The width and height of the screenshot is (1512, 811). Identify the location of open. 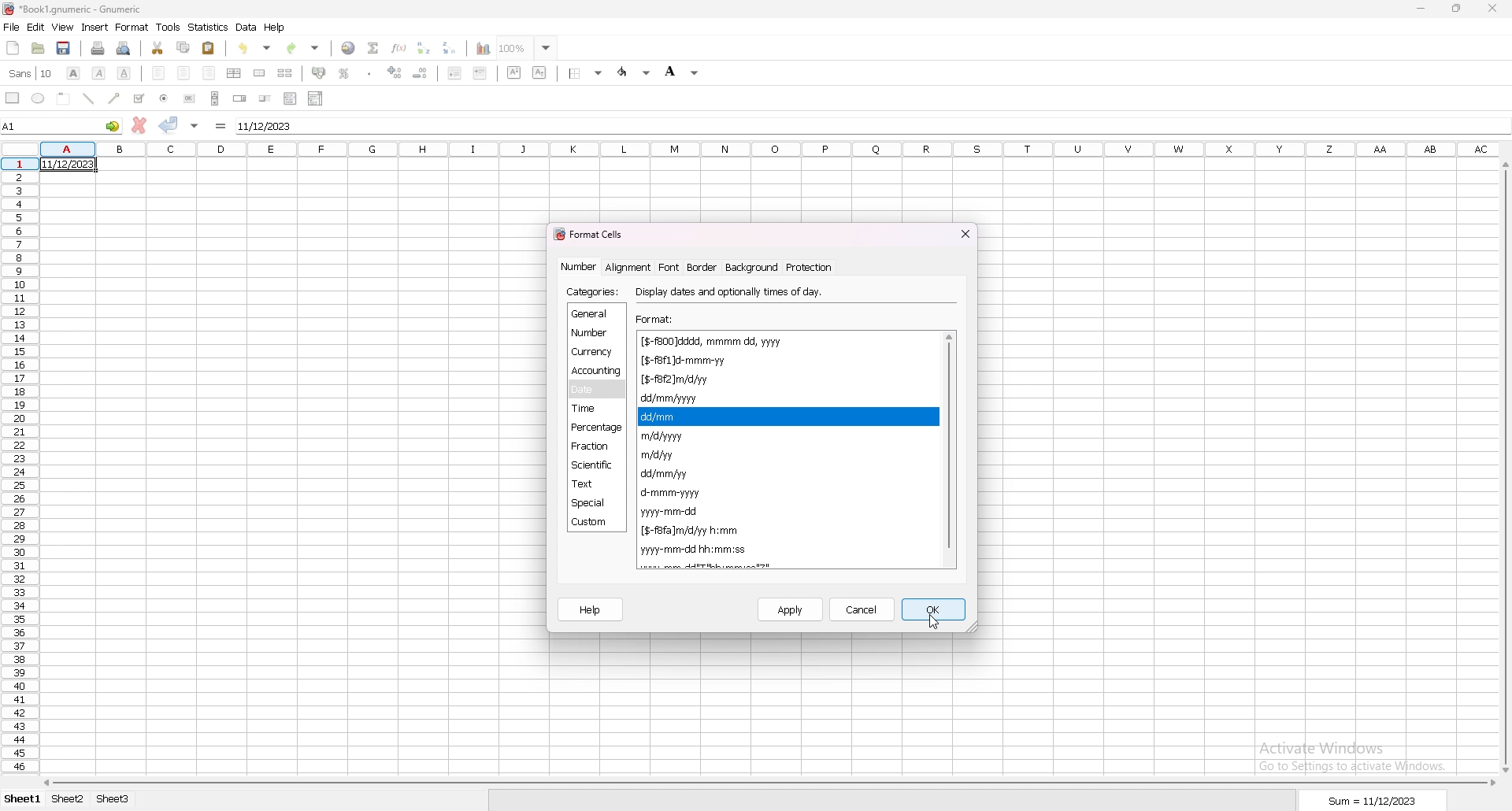
(38, 47).